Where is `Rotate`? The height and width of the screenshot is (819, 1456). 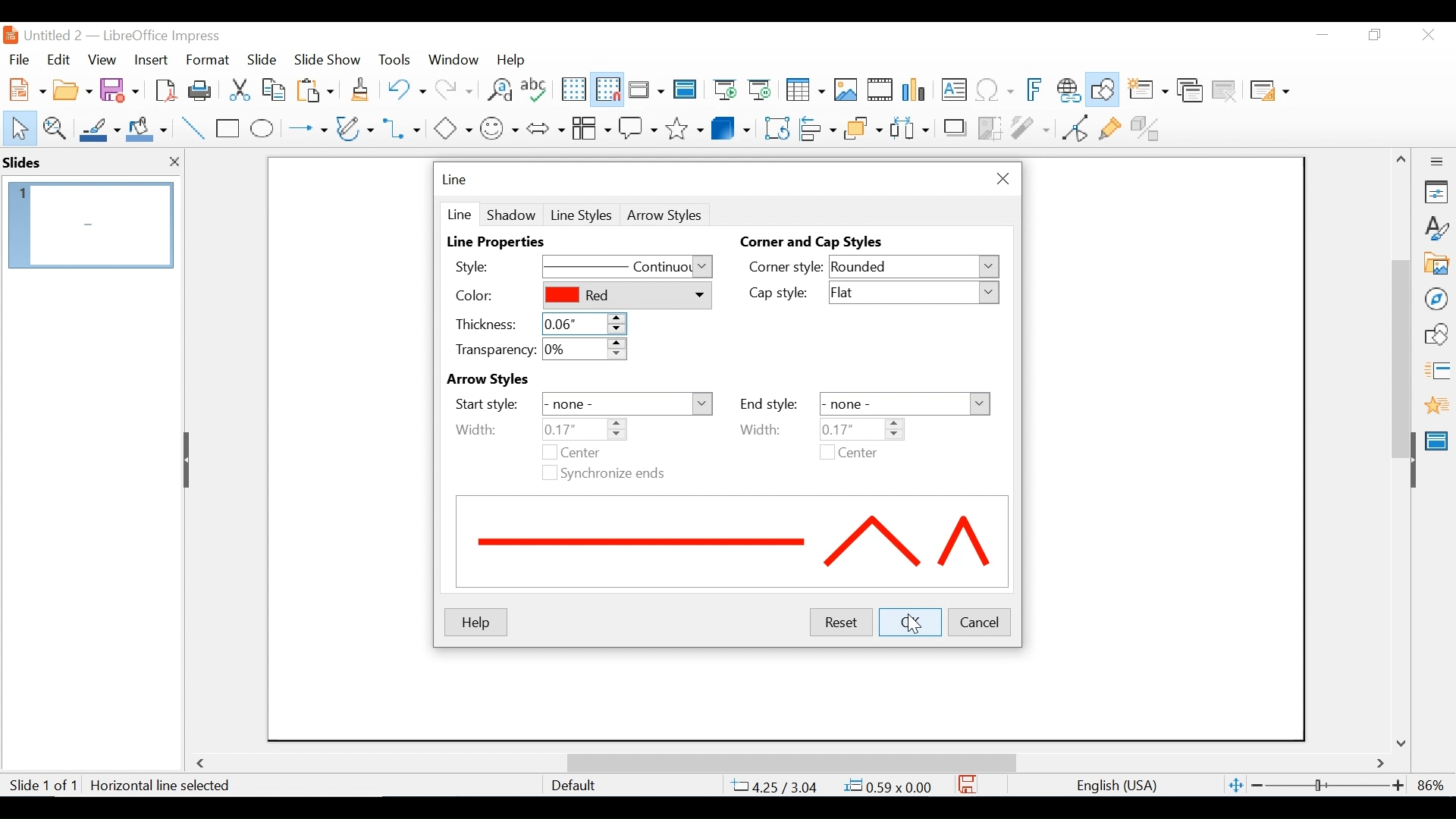
Rotate is located at coordinates (775, 127).